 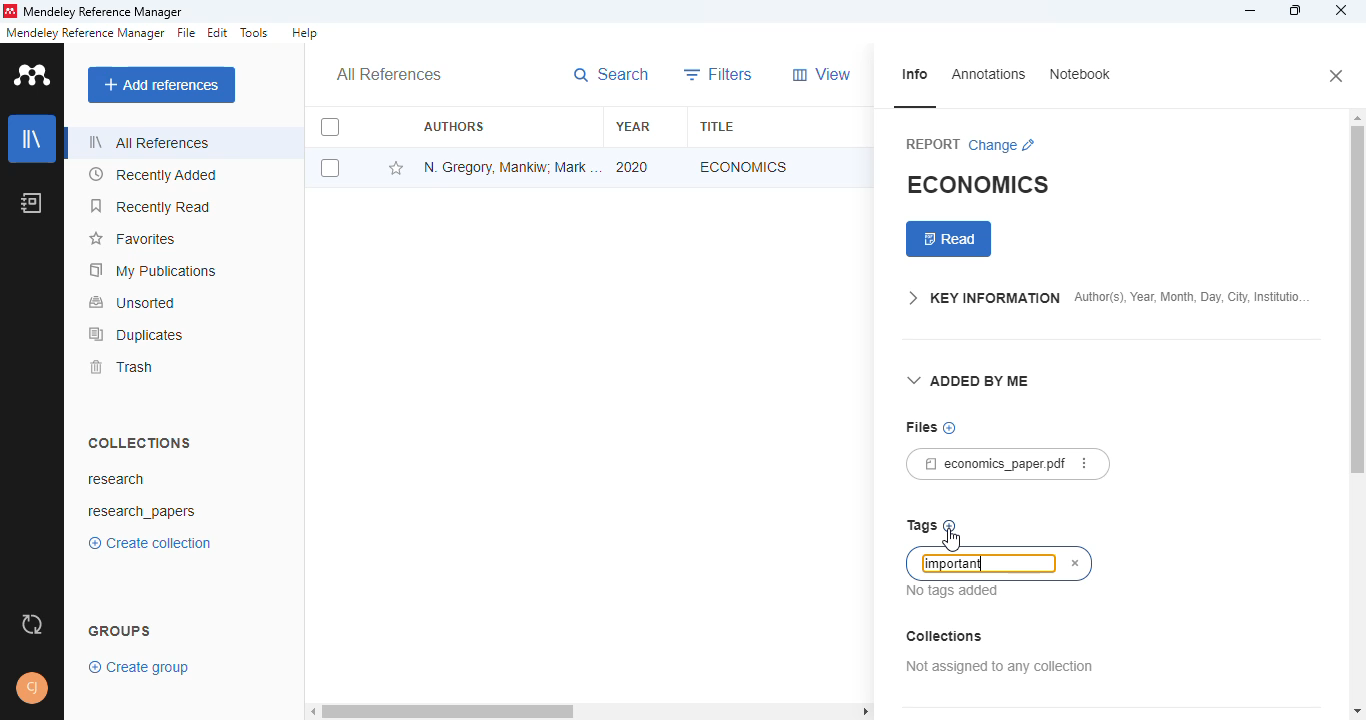 I want to click on all references, so click(x=388, y=74).